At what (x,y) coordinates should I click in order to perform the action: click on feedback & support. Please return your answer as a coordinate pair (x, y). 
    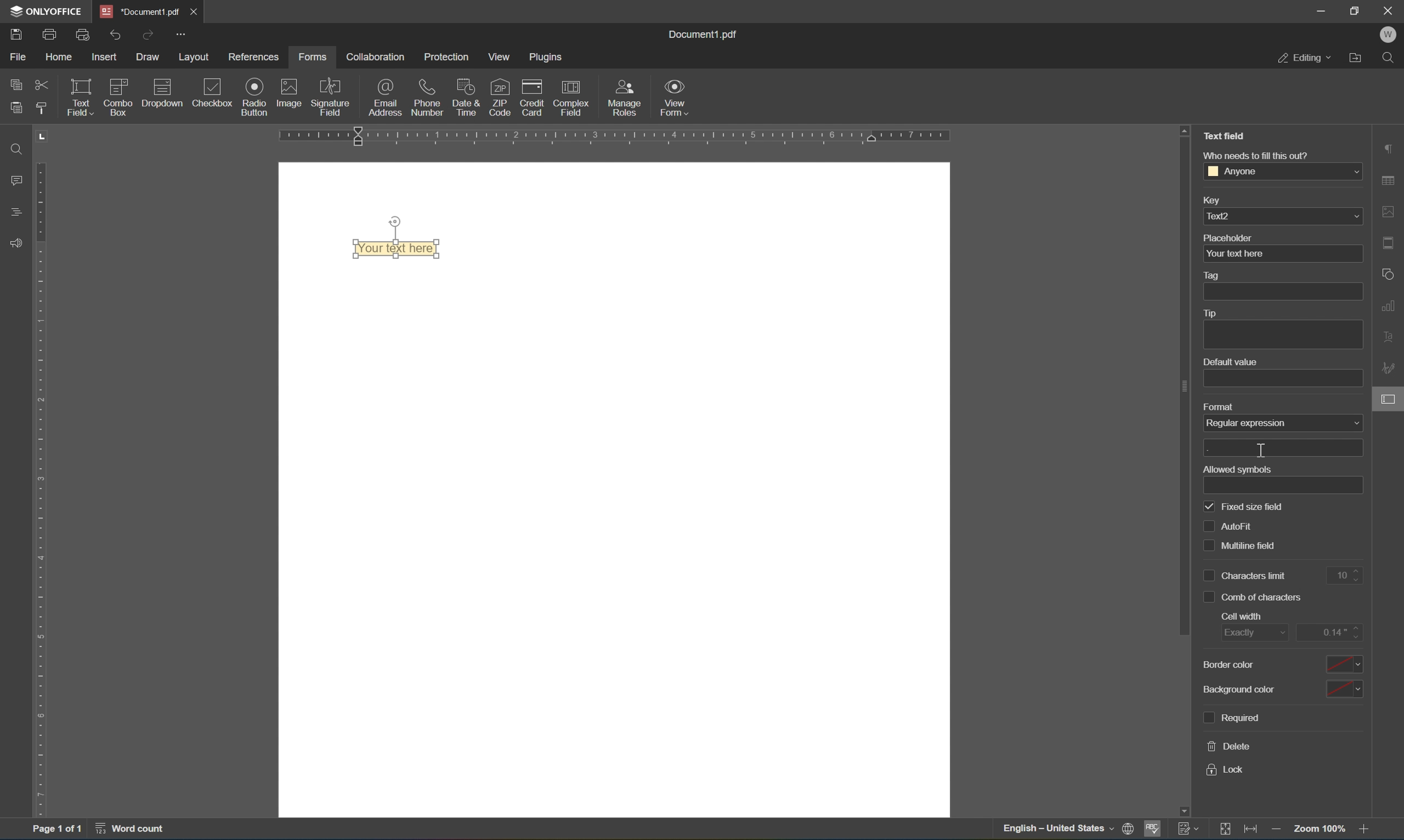
    Looking at the image, I should click on (15, 240).